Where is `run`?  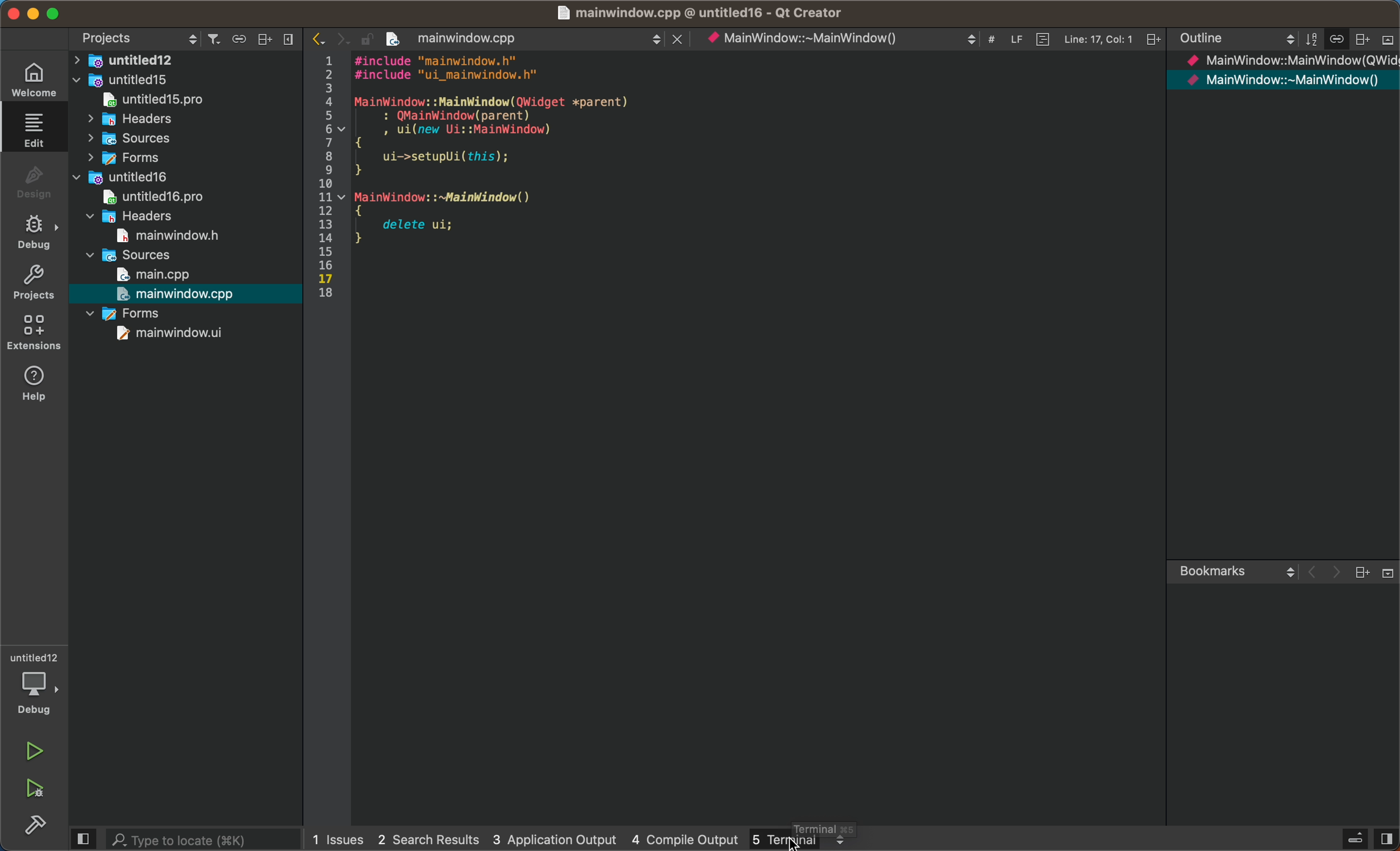
run is located at coordinates (34, 747).